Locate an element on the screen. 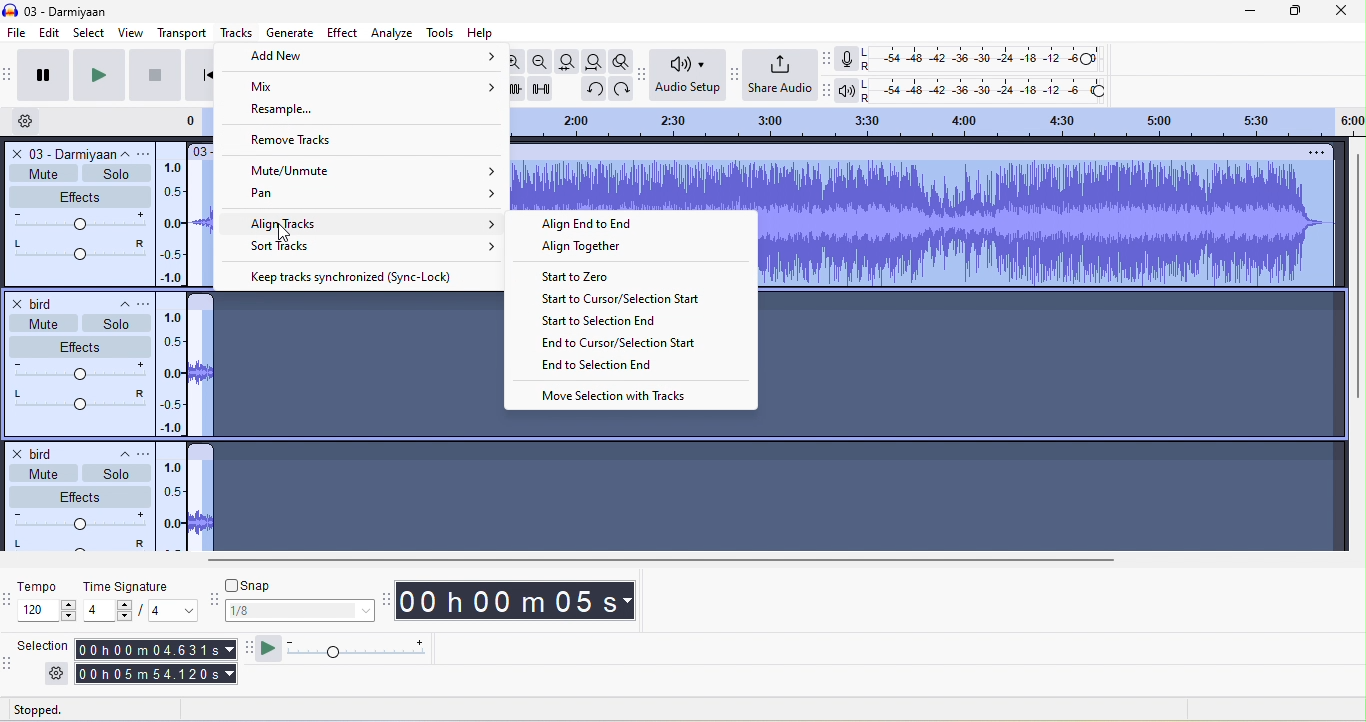 This screenshot has width=1366, height=722. audacity share audio is located at coordinates (735, 75).